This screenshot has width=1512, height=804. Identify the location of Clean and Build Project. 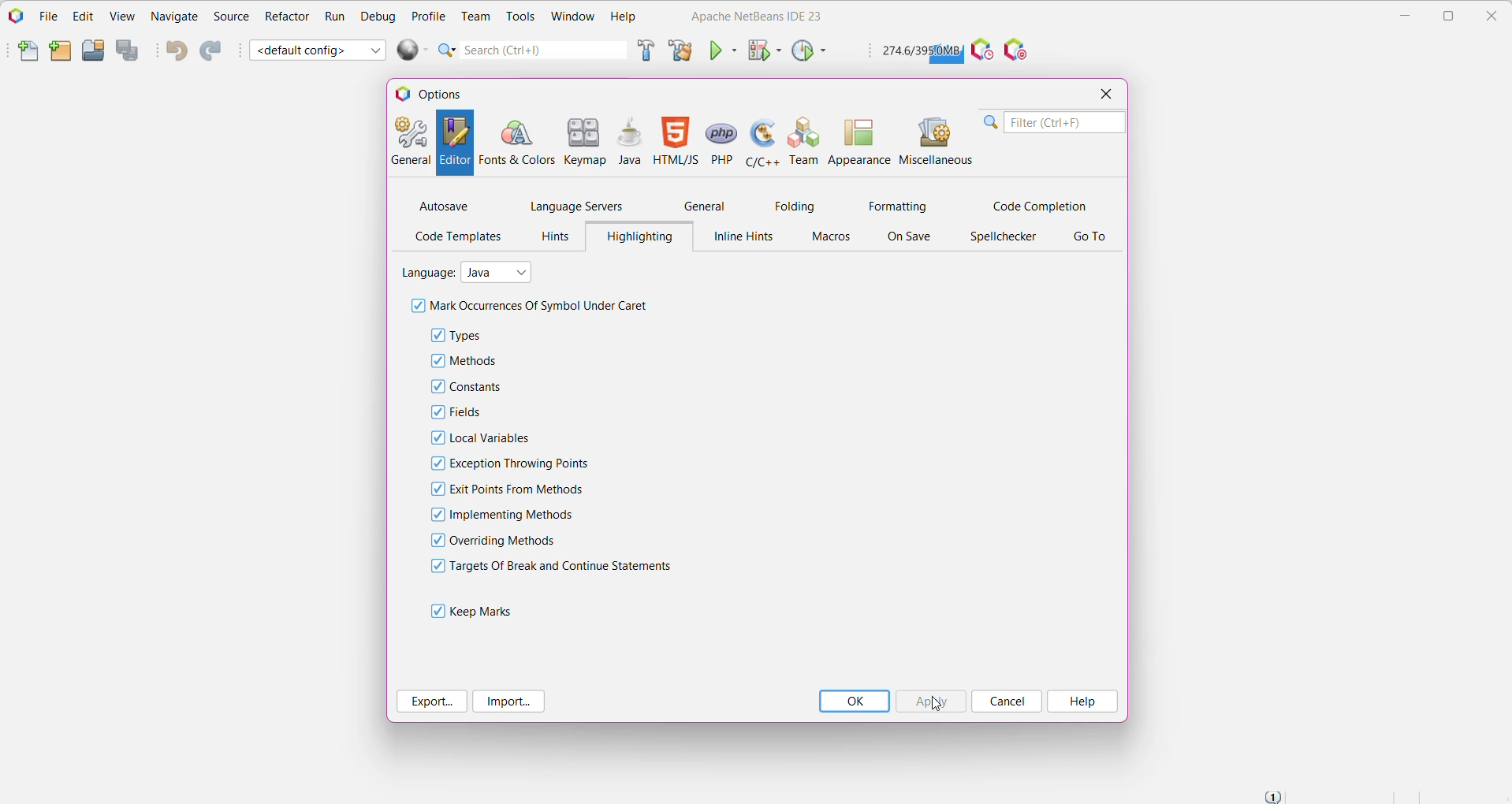
(680, 50).